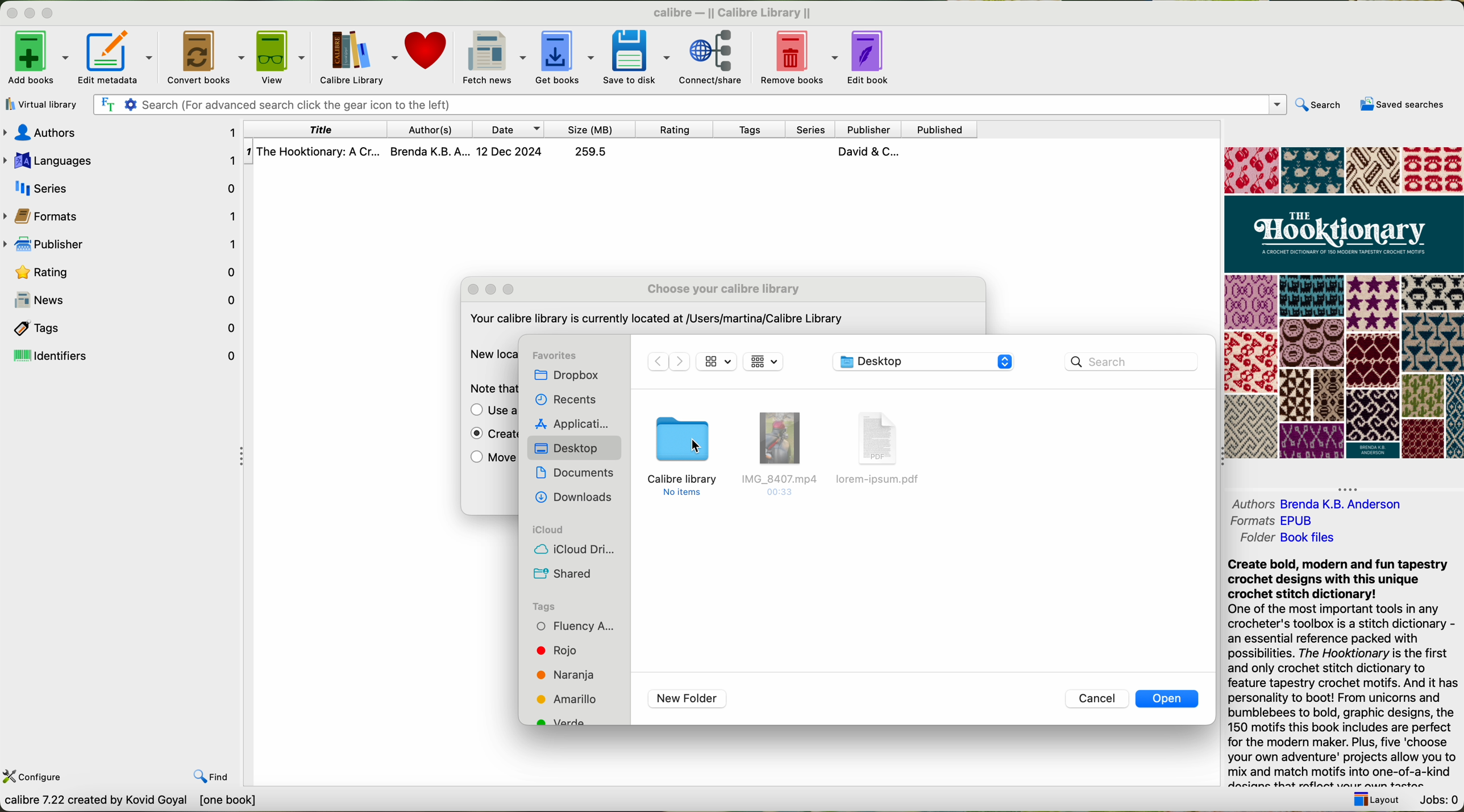 The height and width of the screenshot is (812, 1464). I want to click on cursor, so click(697, 445).